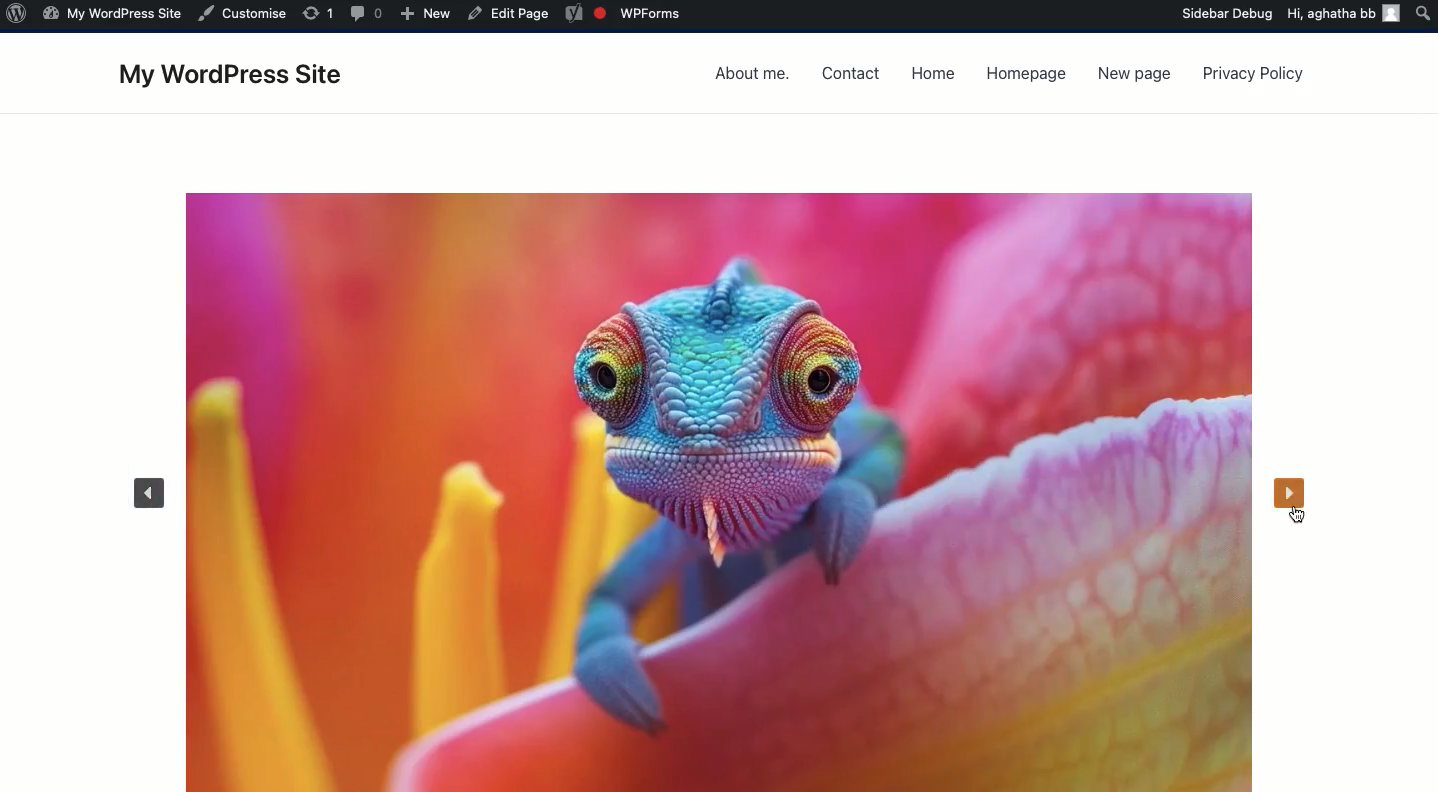 This screenshot has width=1438, height=792. I want to click on my wordpress site, so click(110, 17).